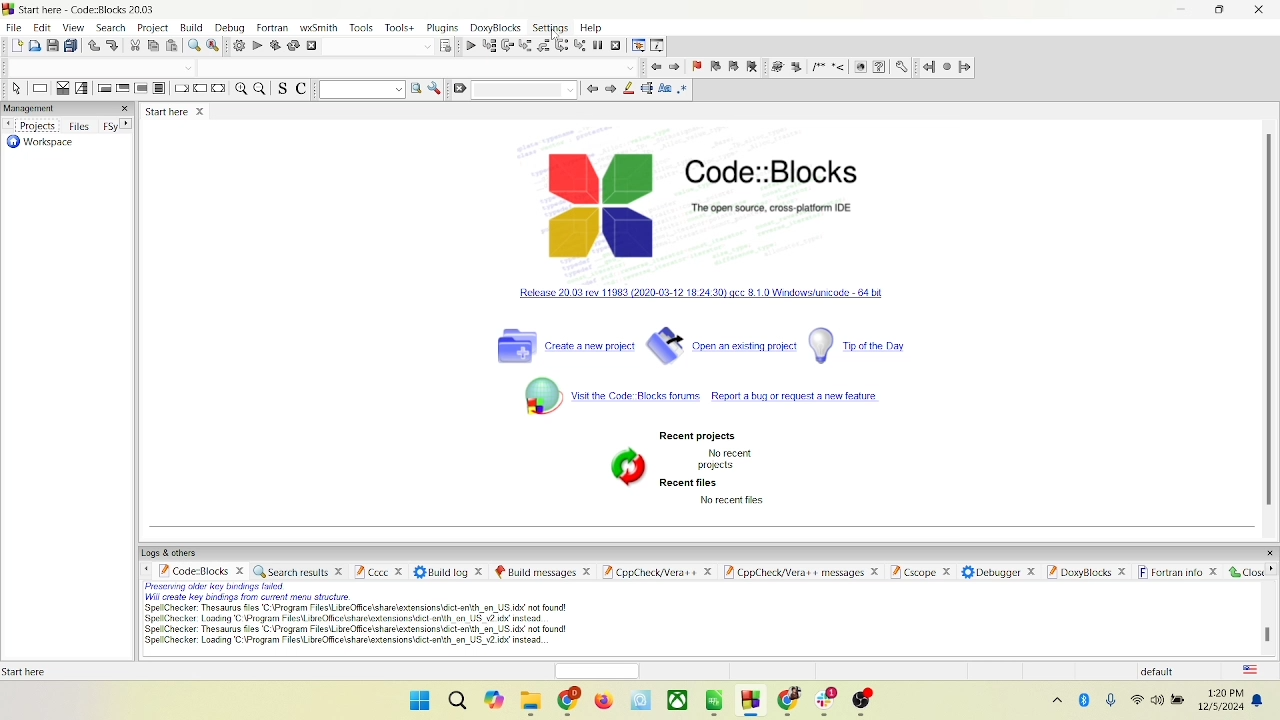 Image resolution: width=1280 pixels, height=720 pixels. Describe the element at coordinates (639, 44) in the screenshot. I see `debugging` at that location.